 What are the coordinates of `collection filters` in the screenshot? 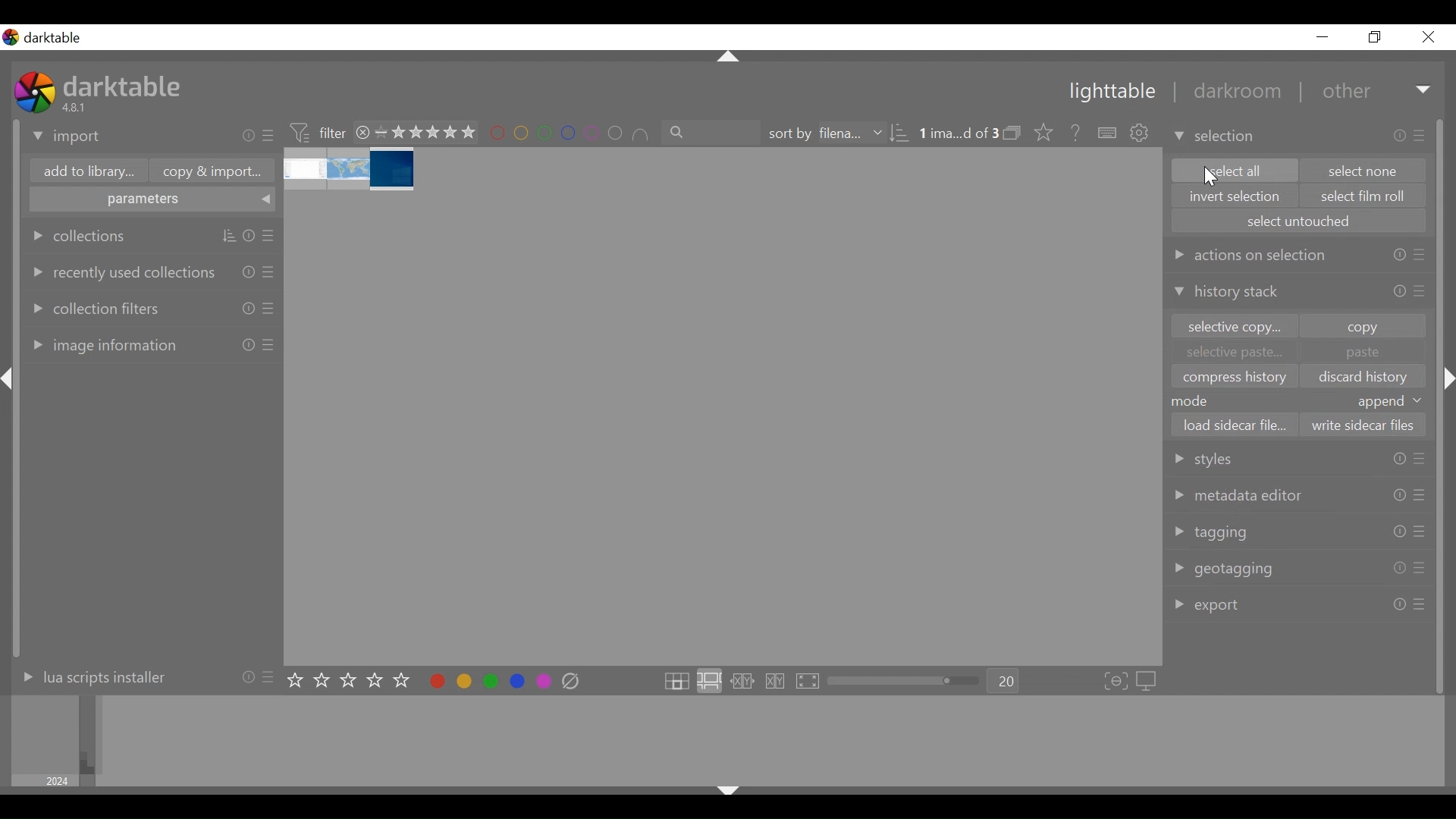 It's located at (94, 306).